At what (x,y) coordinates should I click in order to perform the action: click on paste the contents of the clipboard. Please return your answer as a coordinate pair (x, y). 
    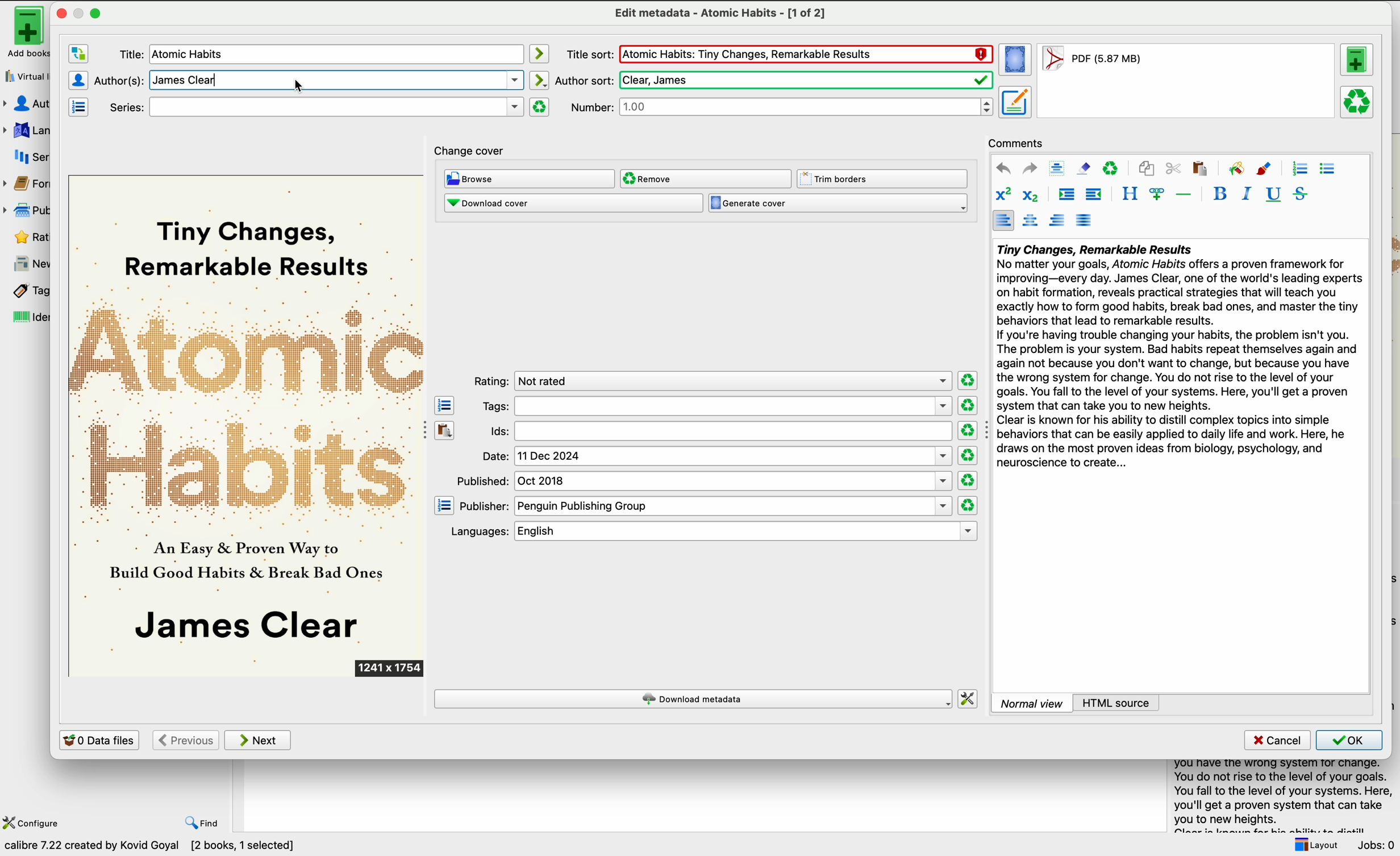
    Looking at the image, I should click on (445, 429).